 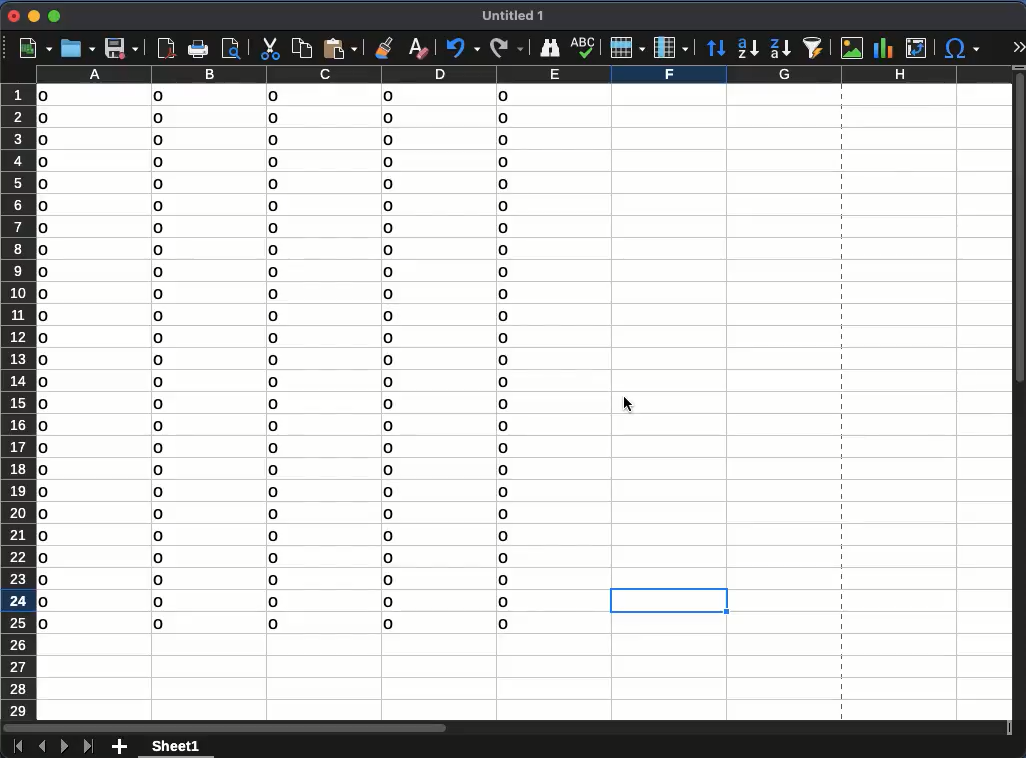 What do you see at coordinates (918, 48) in the screenshot?
I see `pivot table` at bounding box center [918, 48].